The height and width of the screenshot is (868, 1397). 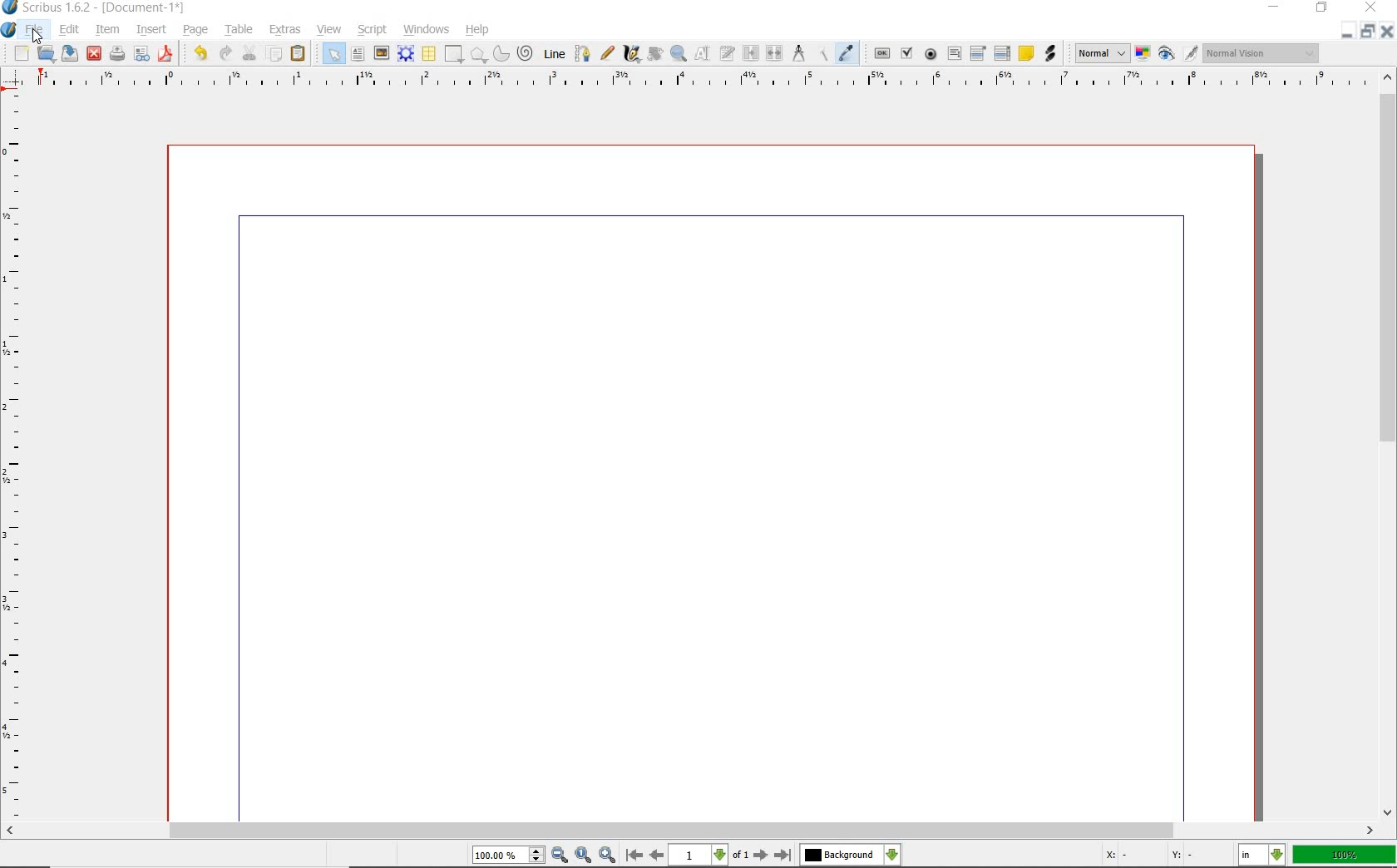 What do you see at coordinates (553, 54) in the screenshot?
I see `line` at bounding box center [553, 54].